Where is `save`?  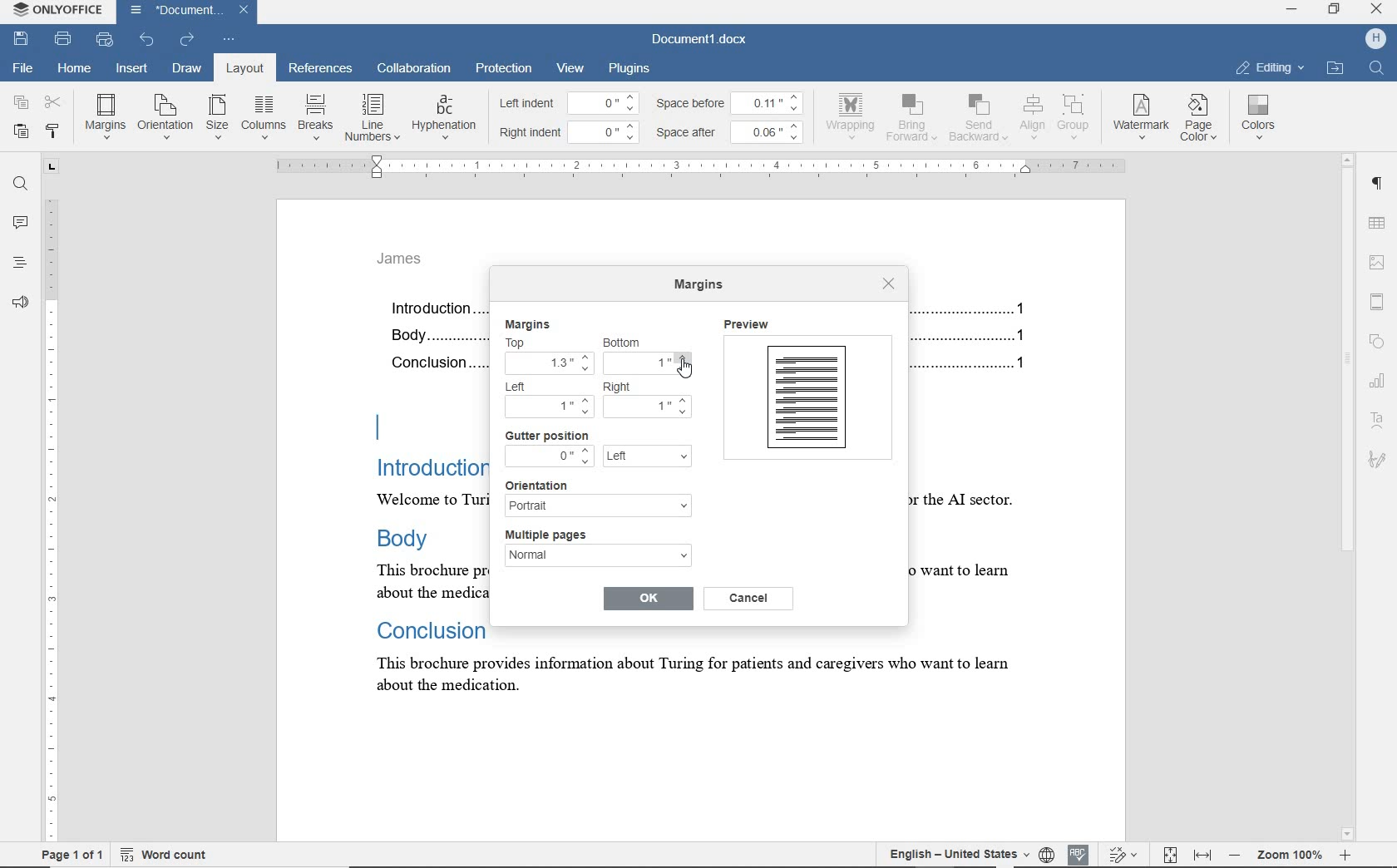
save is located at coordinates (21, 37).